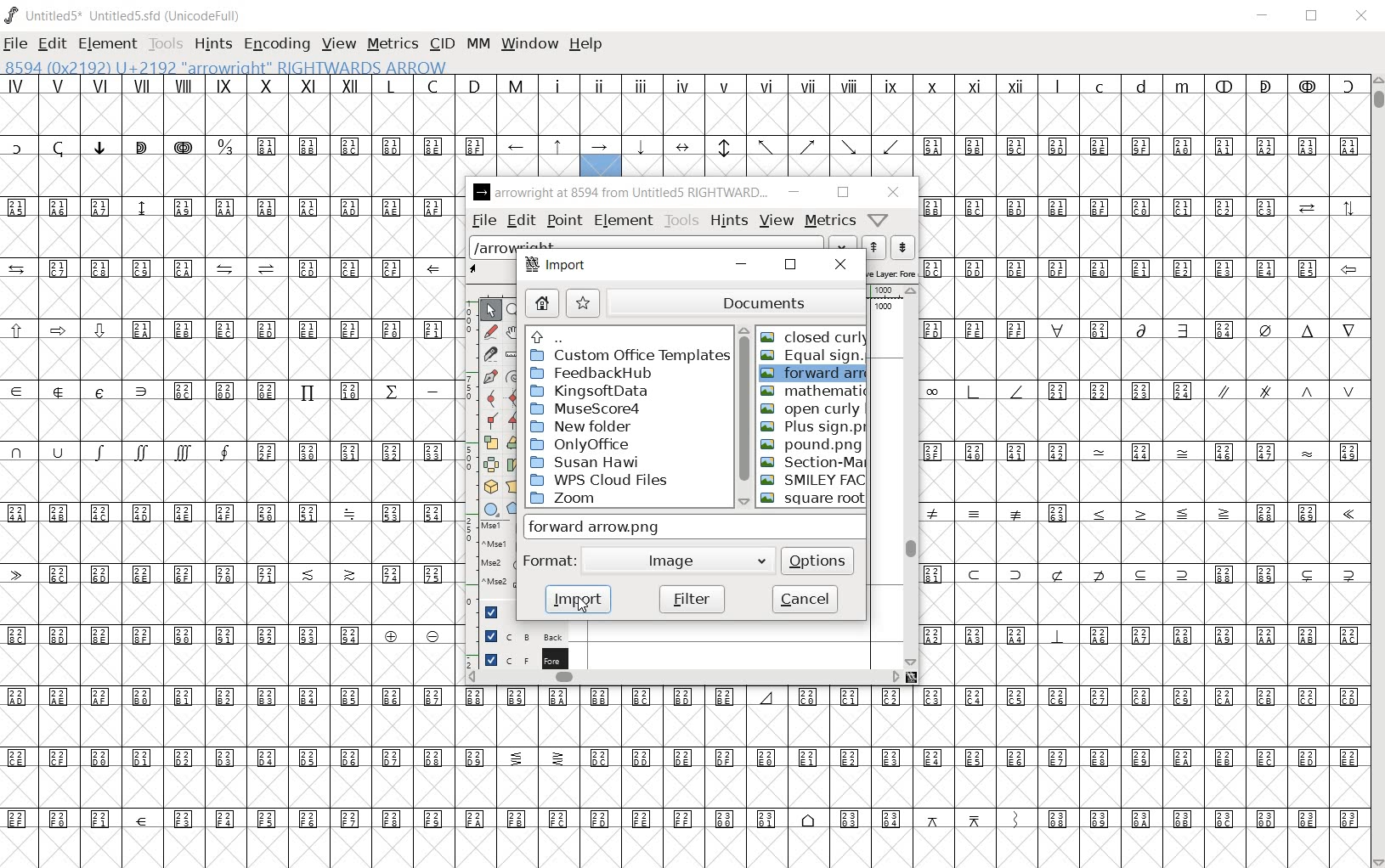 The height and width of the screenshot is (868, 1385). What do you see at coordinates (514, 420) in the screenshot?
I see `Add a corner point` at bounding box center [514, 420].